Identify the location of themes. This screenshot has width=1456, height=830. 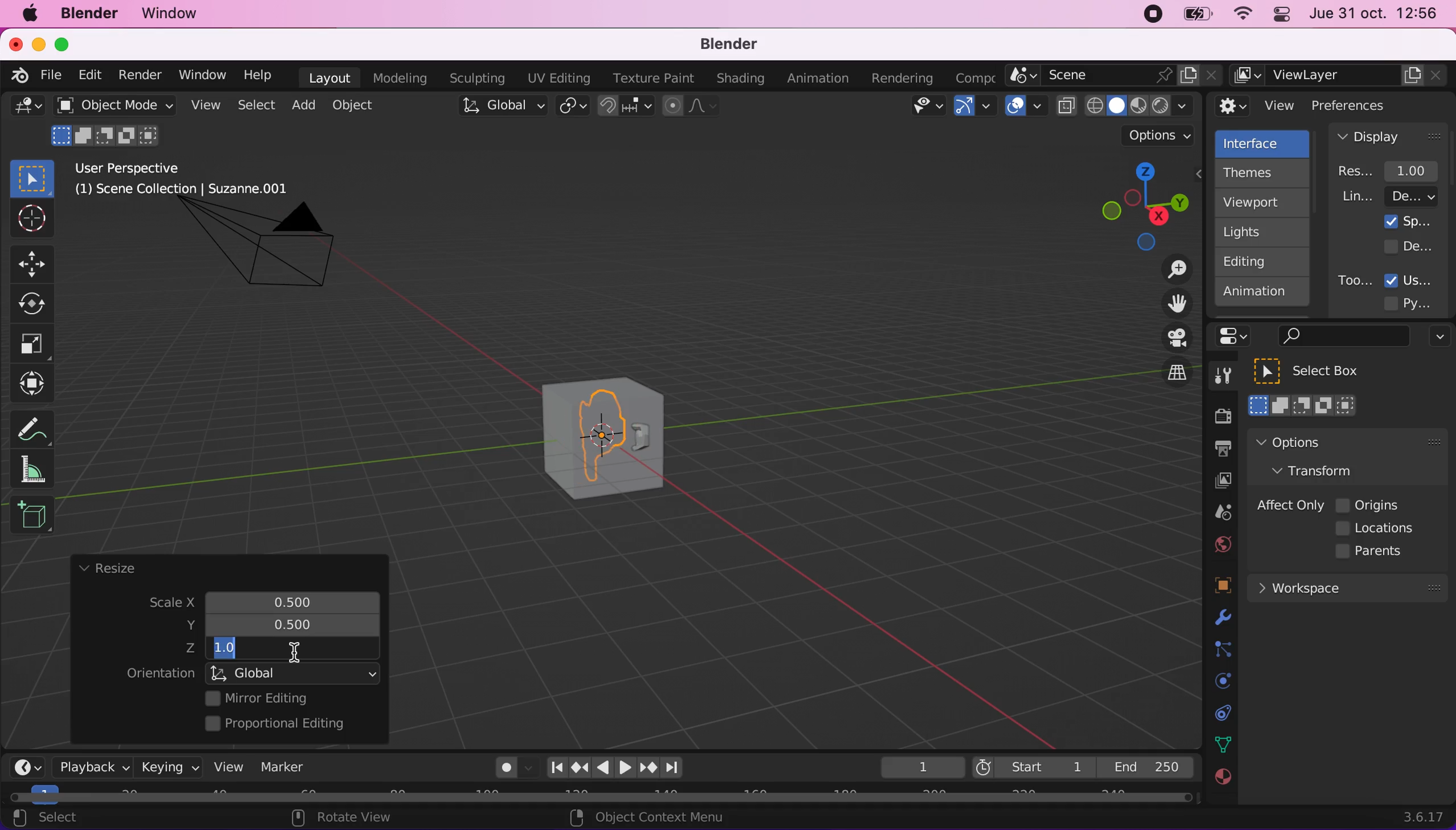
(1261, 173).